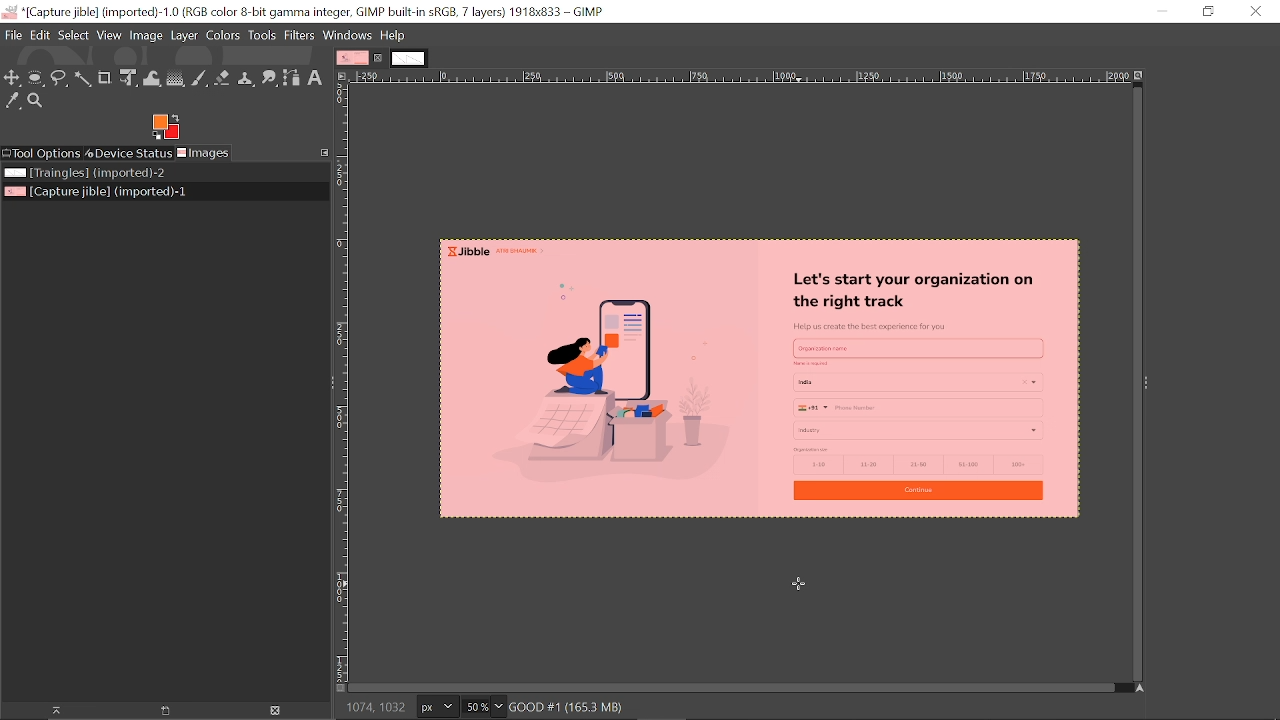 The height and width of the screenshot is (720, 1280). I want to click on New display for the image, so click(156, 712).